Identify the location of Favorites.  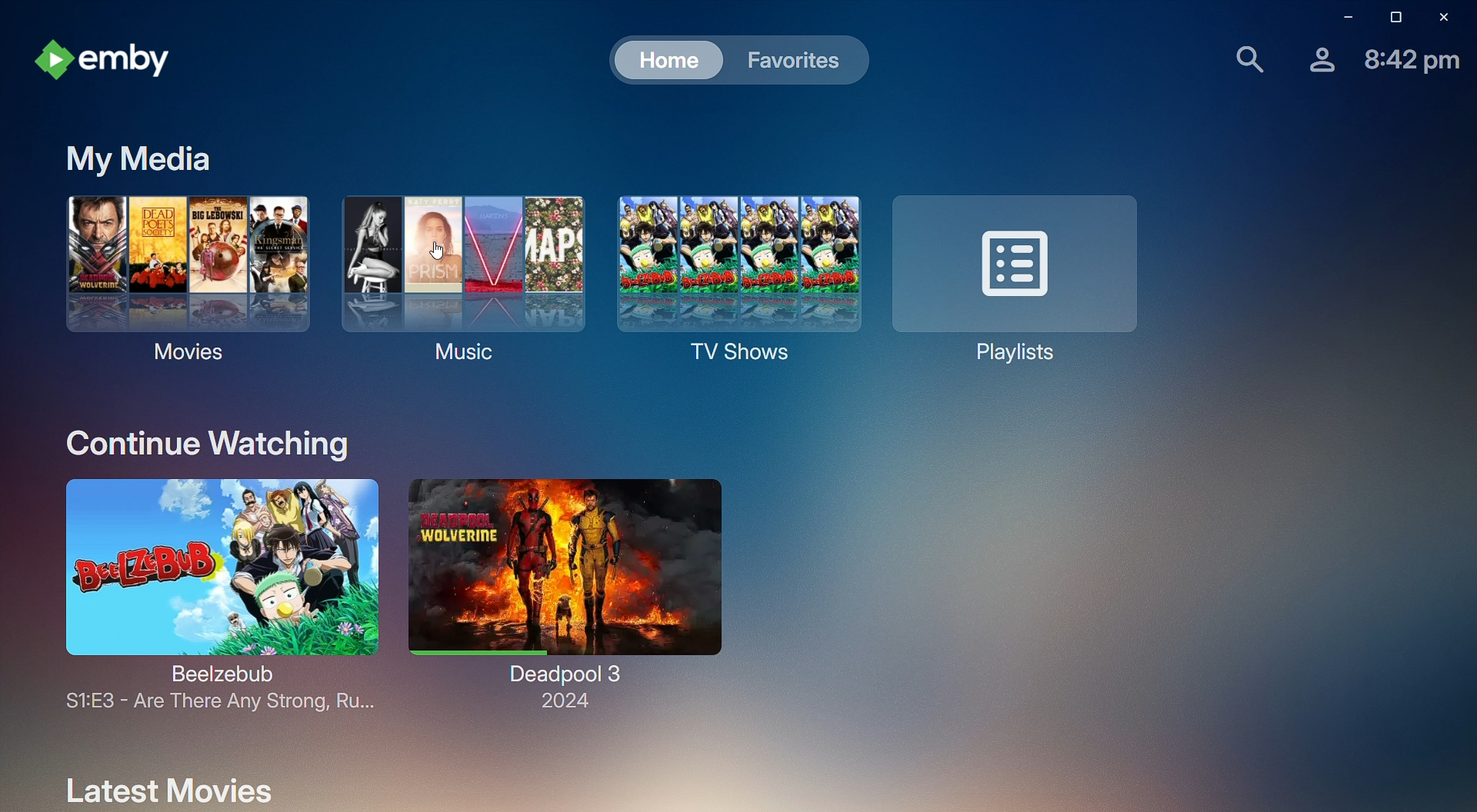
(805, 61).